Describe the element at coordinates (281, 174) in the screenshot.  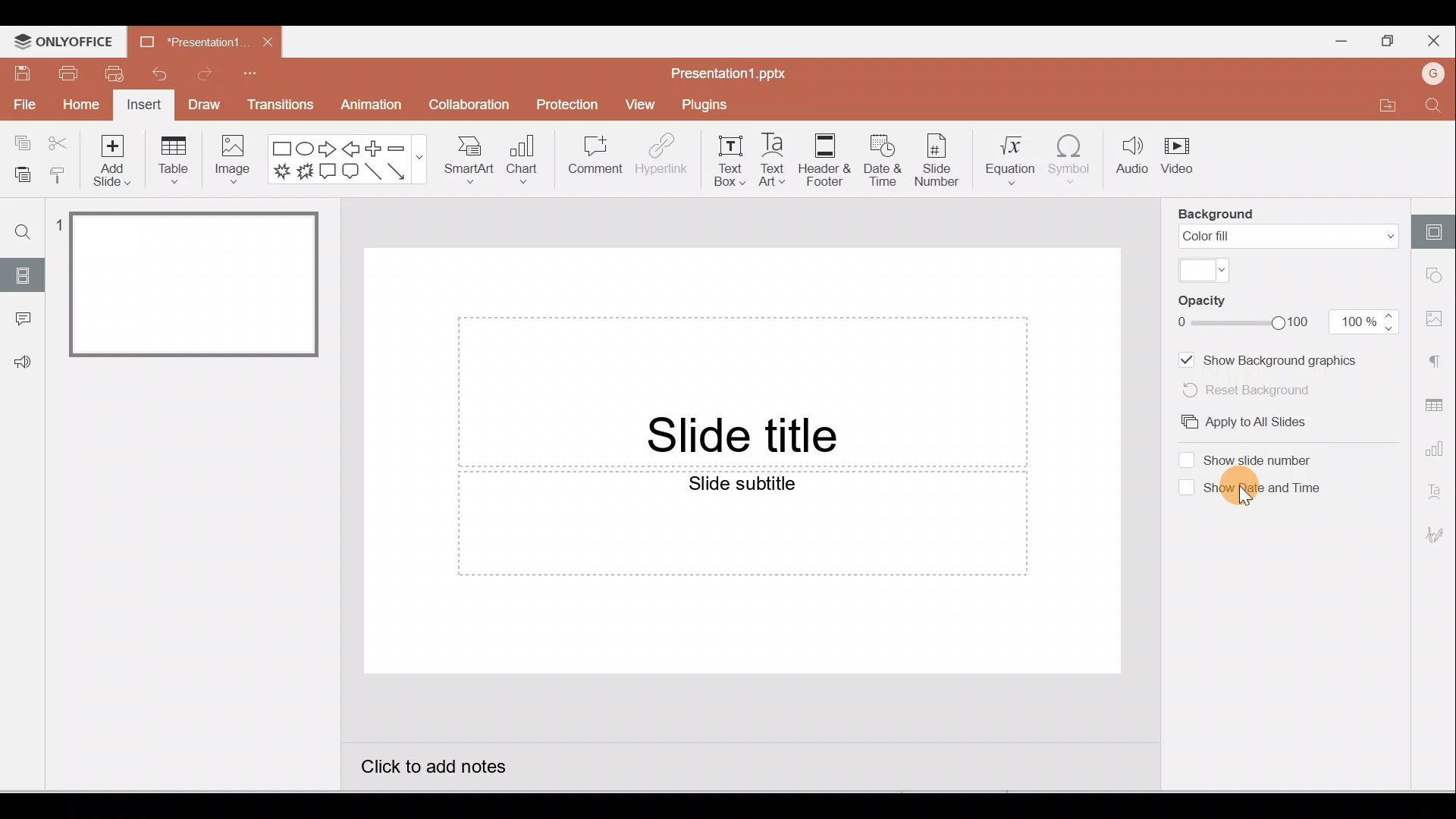
I see `Explosion 1` at that location.